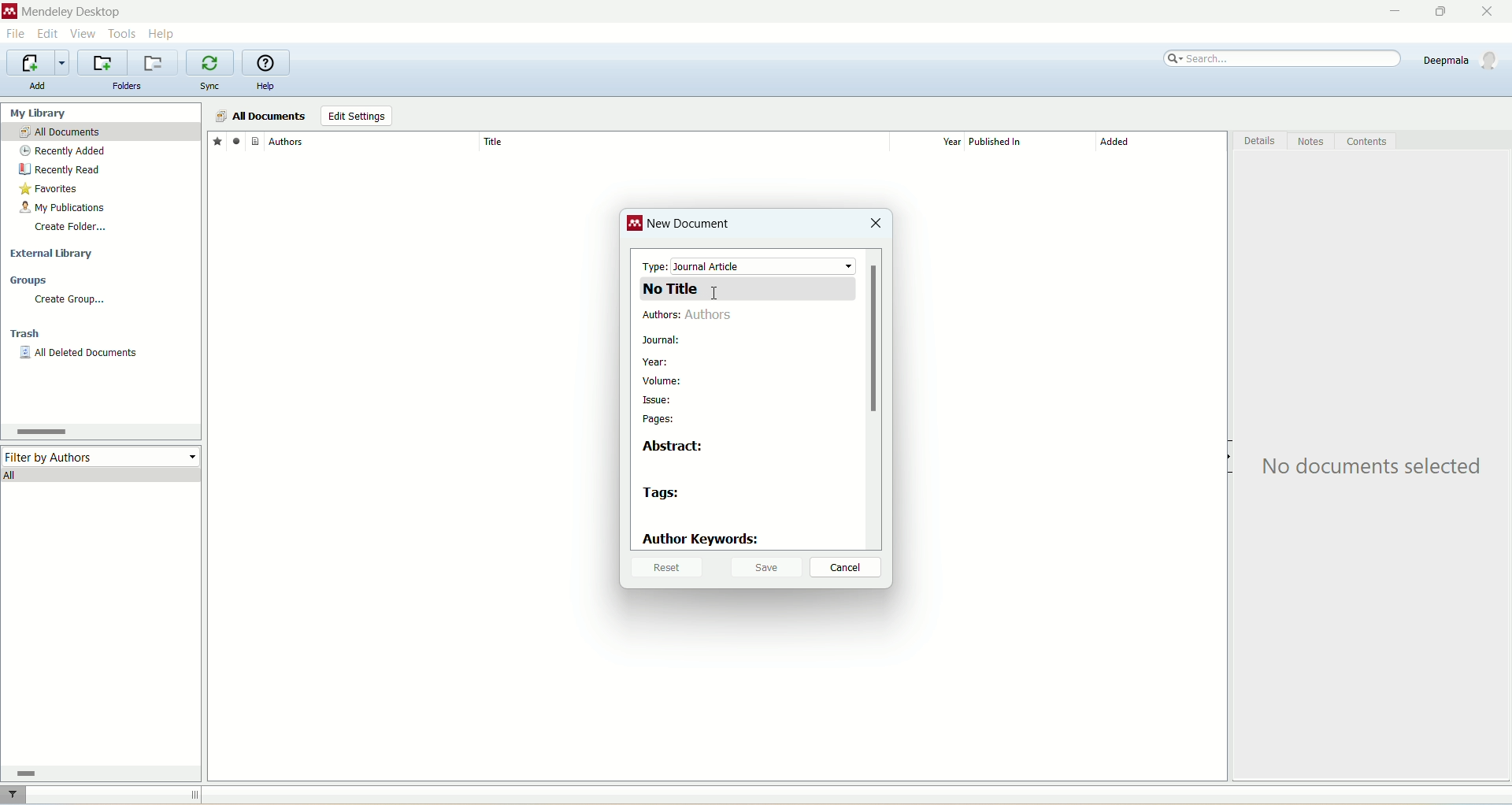 This screenshot has height=805, width=1512. What do you see at coordinates (50, 191) in the screenshot?
I see `favorites` at bounding box center [50, 191].